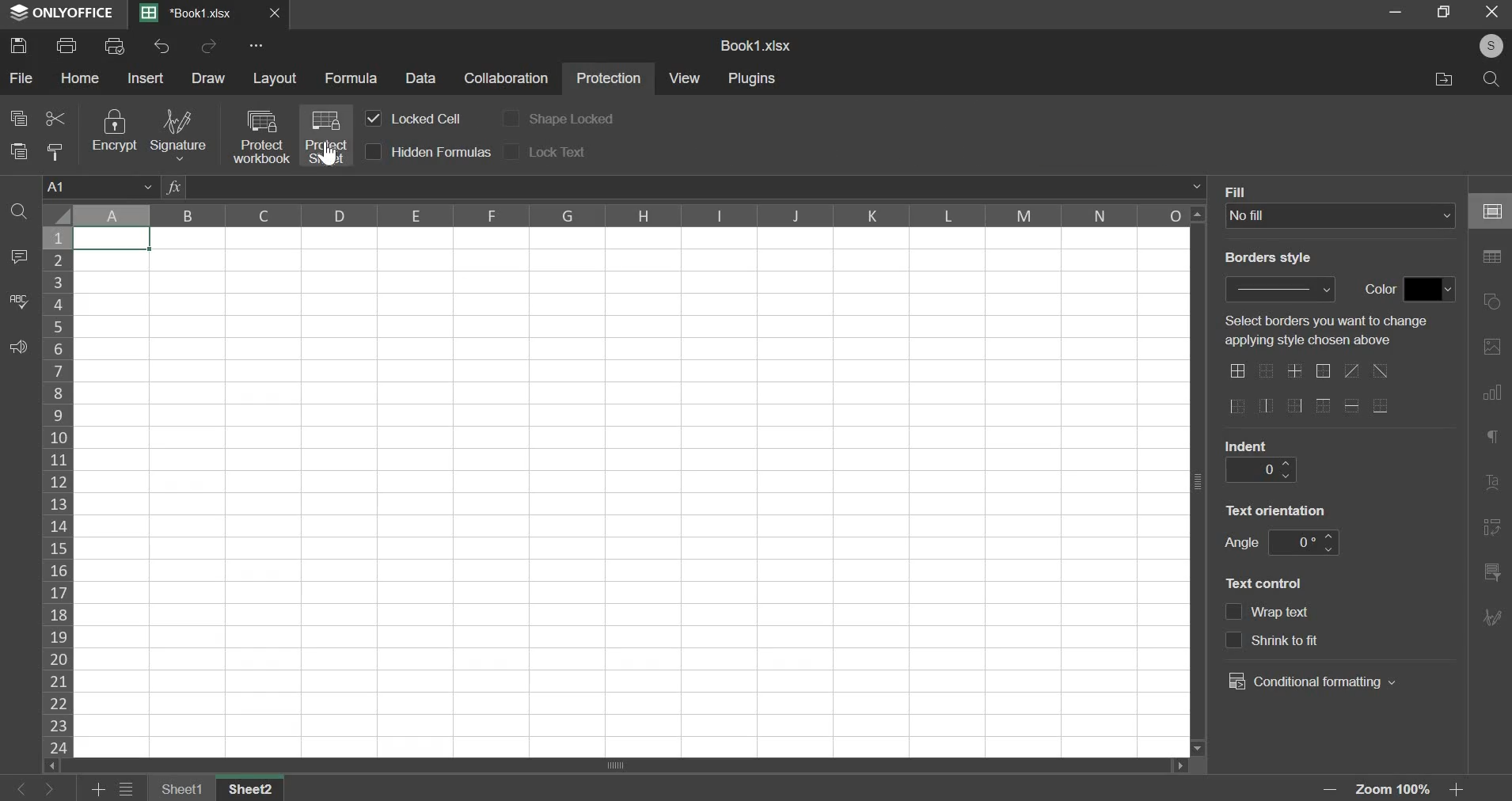 This screenshot has width=1512, height=801. I want to click on Search, so click(1492, 80).